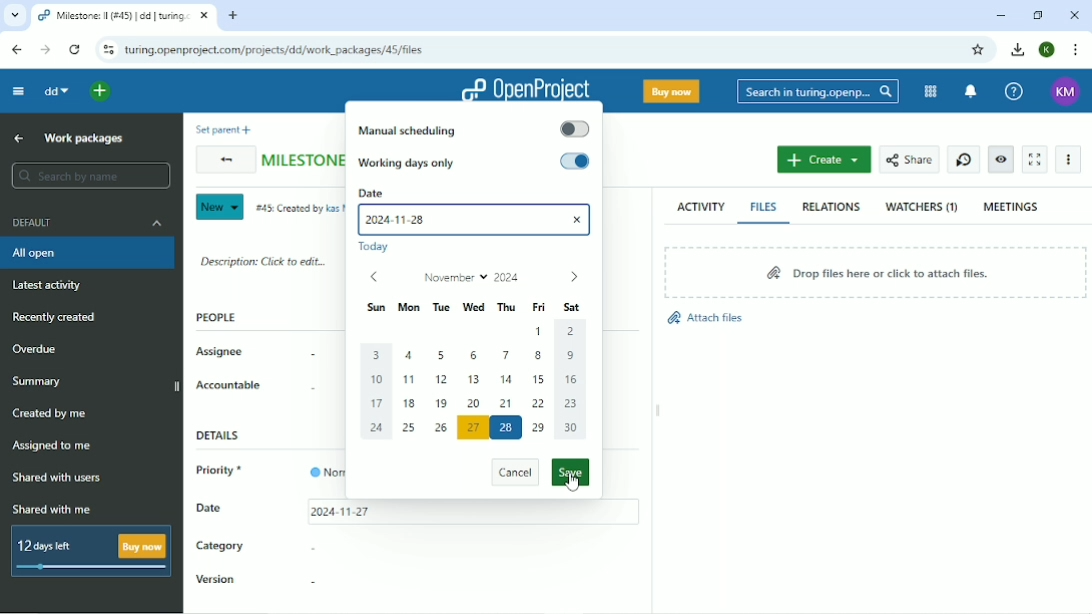 This screenshot has height=614, width=1092. I want to click on Assignee, so click(221, 352).